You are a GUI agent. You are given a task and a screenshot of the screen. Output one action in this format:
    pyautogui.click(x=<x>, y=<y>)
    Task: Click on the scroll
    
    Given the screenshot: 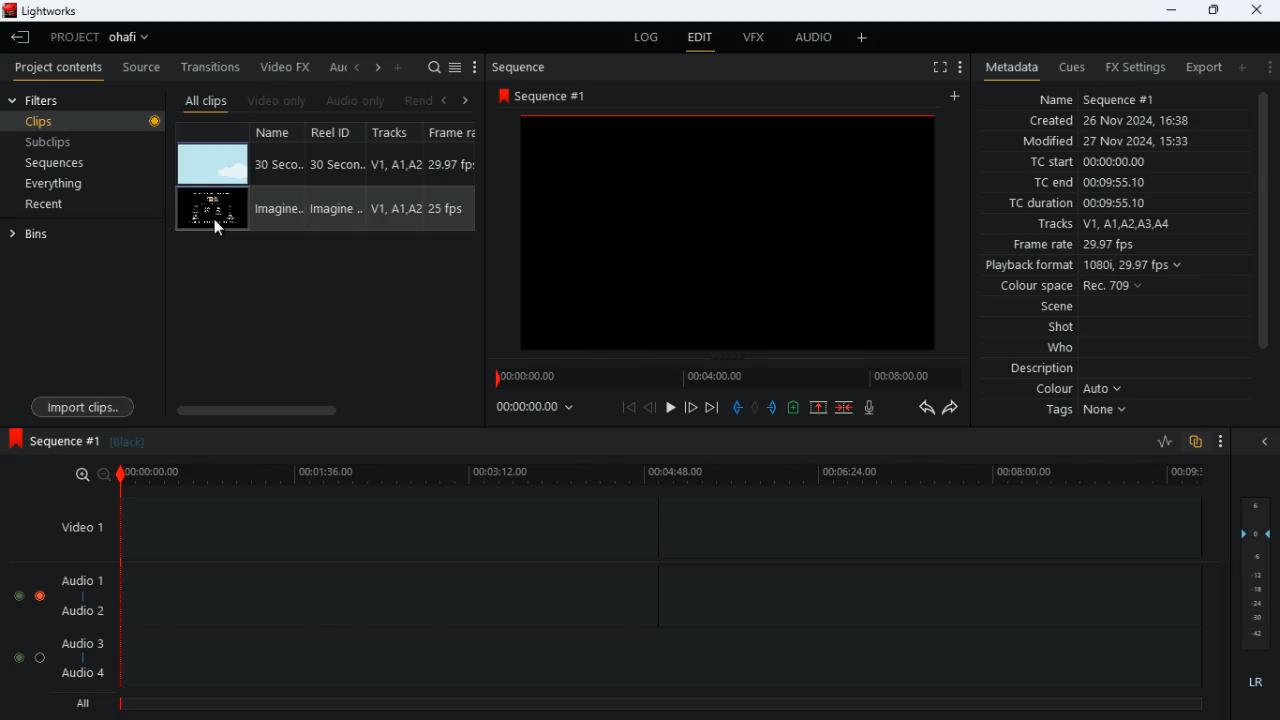 What is the action you would take?
    pyautogui.click(x=1261, y=234)
    